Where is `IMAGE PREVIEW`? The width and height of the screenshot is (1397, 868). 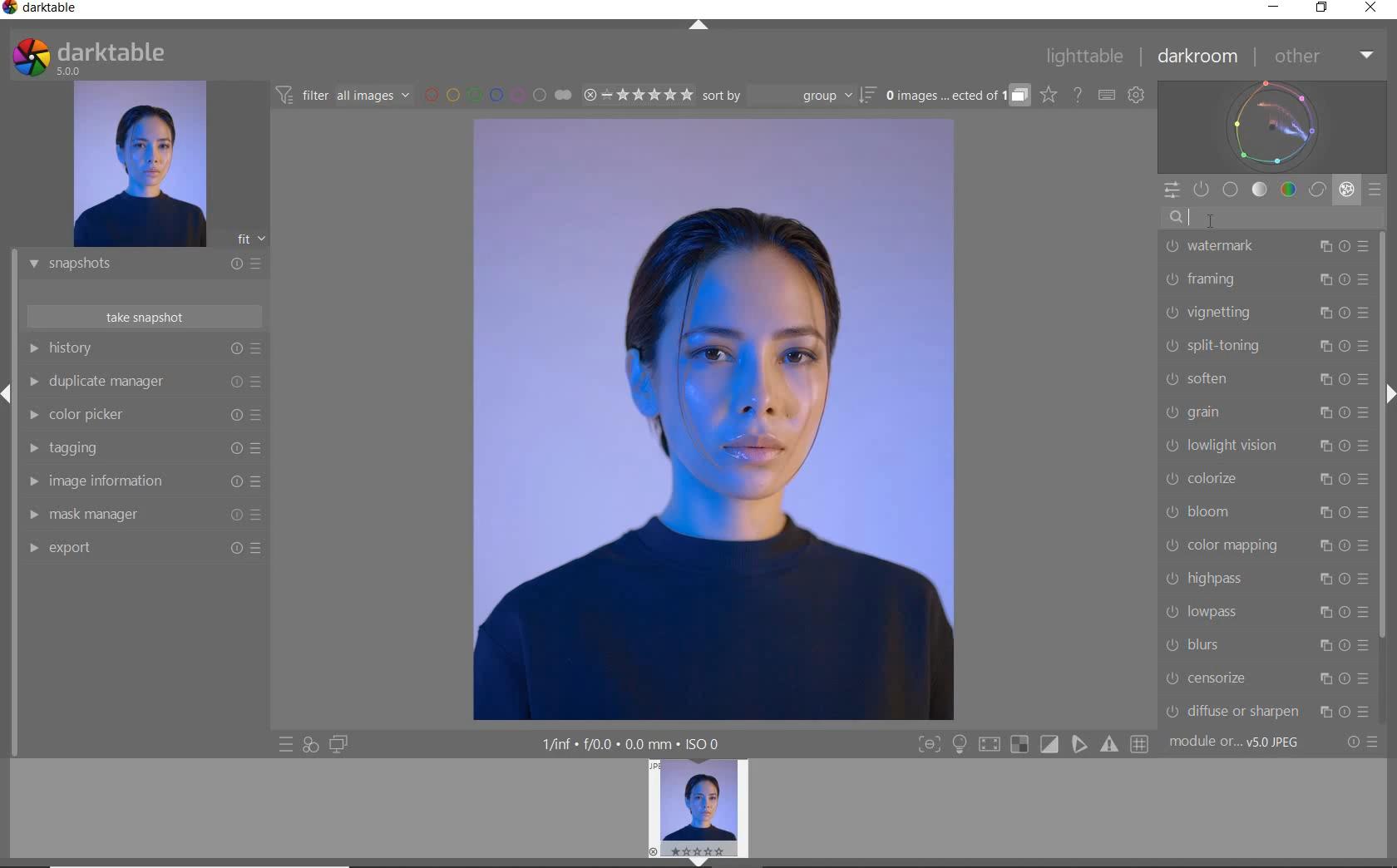 IMAGE PREVIEW is located at coordinates (698, 806).